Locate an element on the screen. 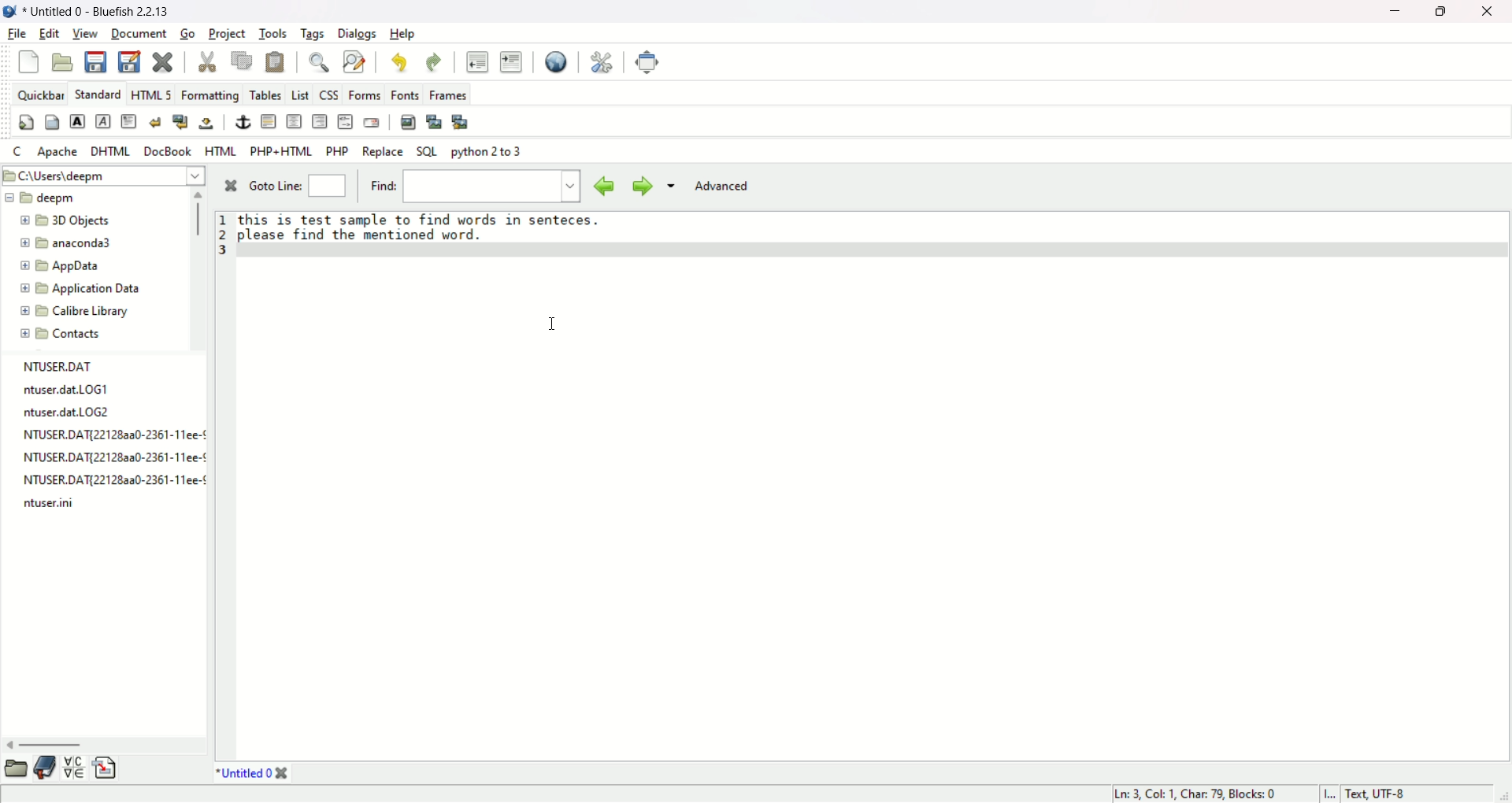  ntuser.ini is located at coordinates (43, 504).